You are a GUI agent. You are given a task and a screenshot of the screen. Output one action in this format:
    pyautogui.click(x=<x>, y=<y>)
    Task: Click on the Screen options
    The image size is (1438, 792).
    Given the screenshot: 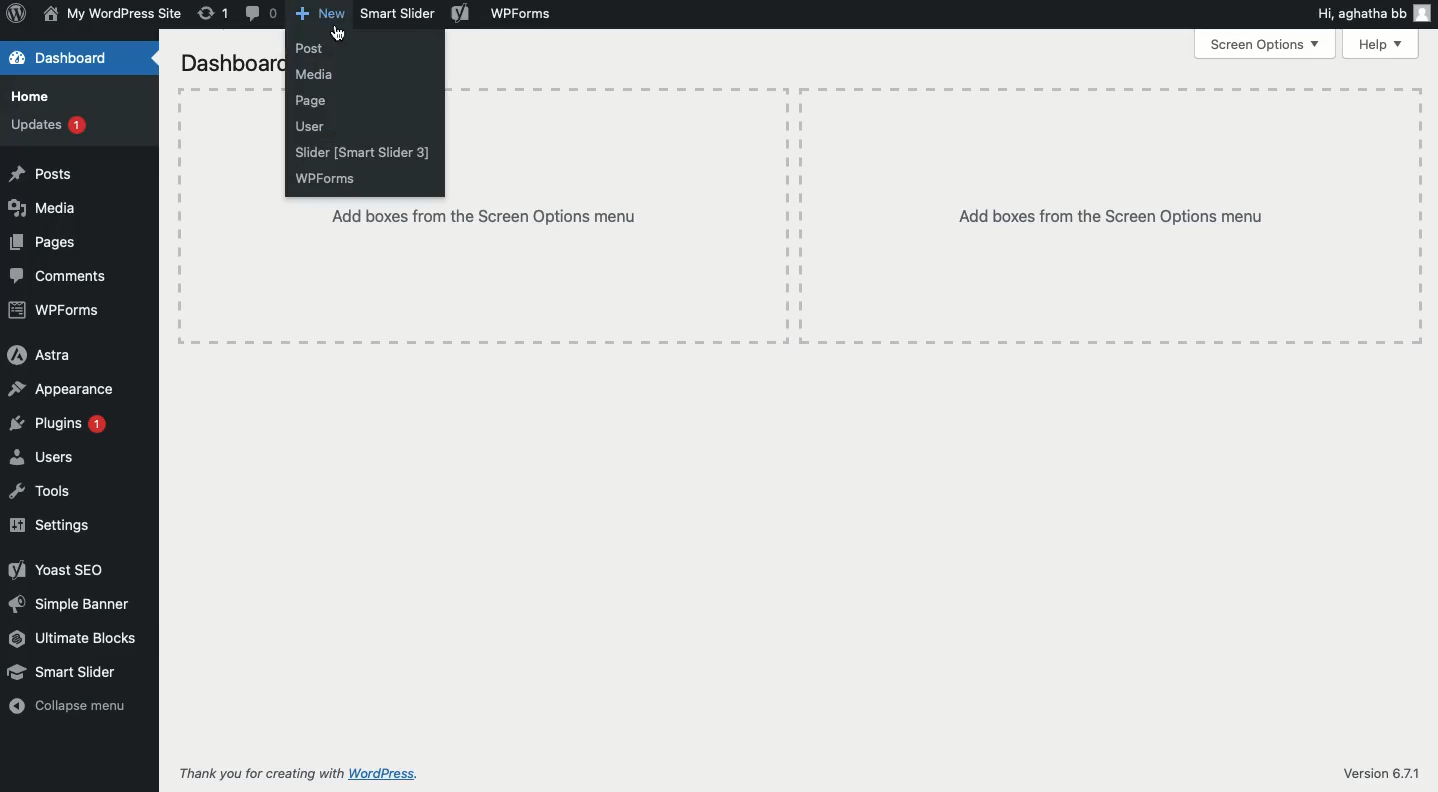 What is the action you would take?
    pyautogui.click(x=1264, y=44)
    